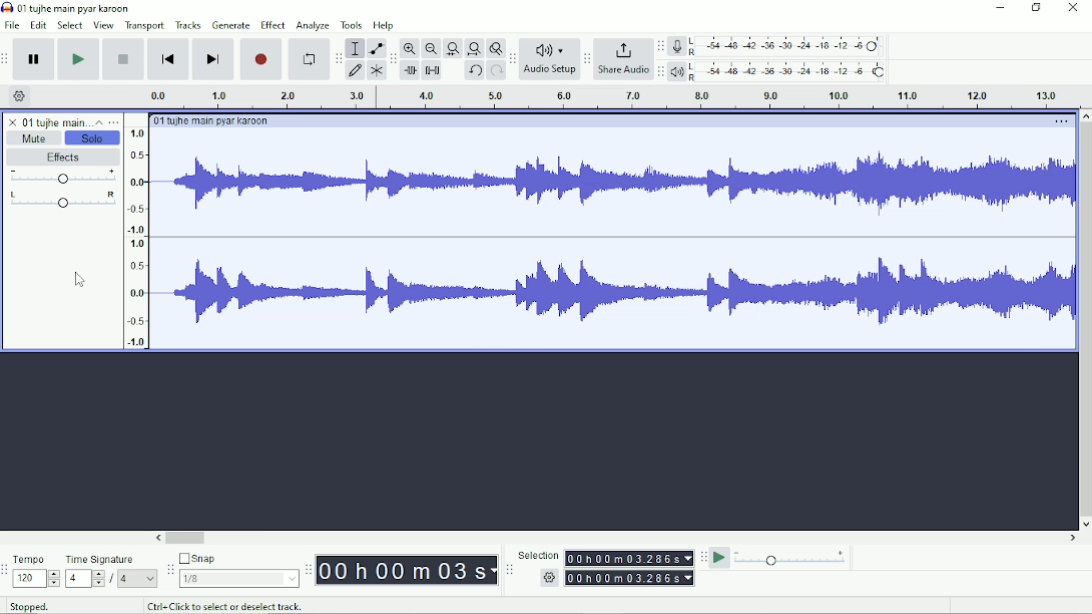 The width and height of the screenshot is (1092, 614). Describe the element at coordinates (339, 58) in the screenshot. I see `Audacity tools toolbar` at that location.